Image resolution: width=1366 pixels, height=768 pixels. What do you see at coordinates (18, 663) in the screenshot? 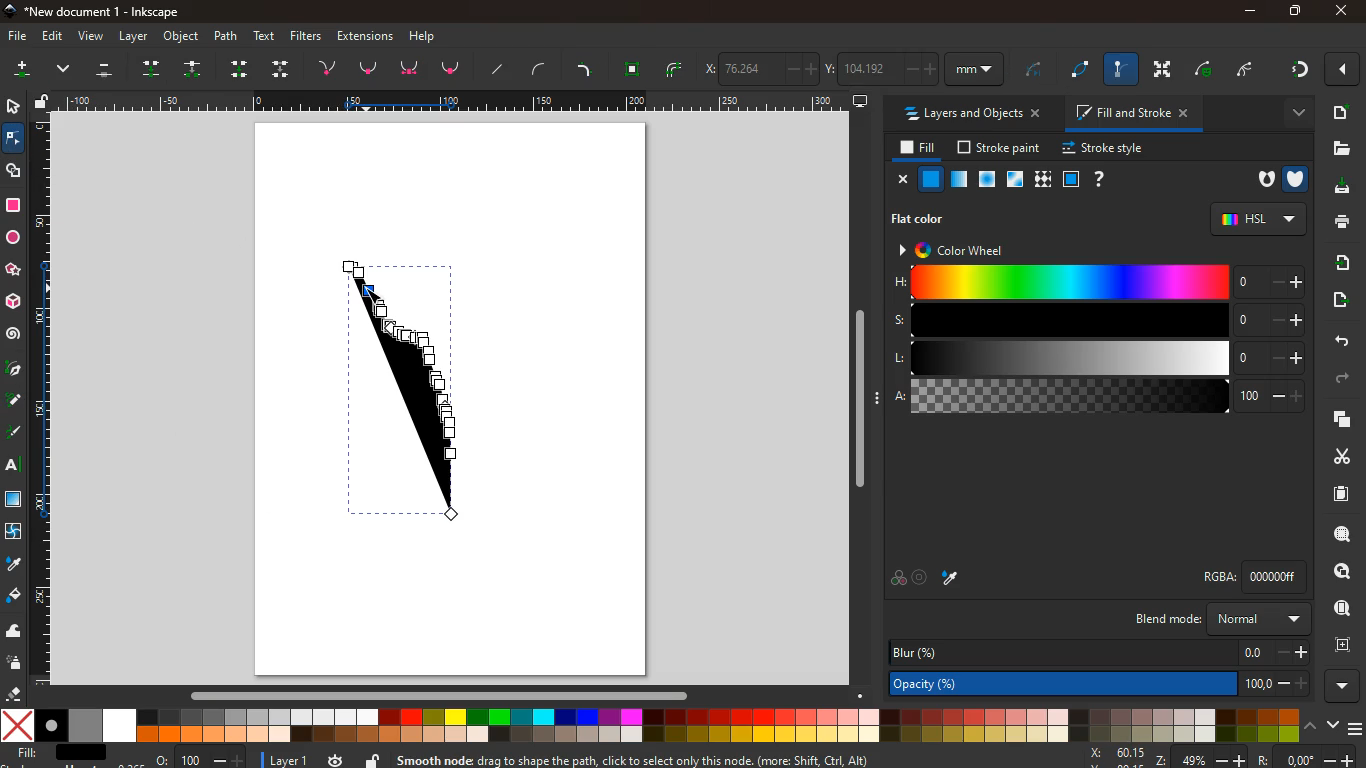
I see `spray` at bounding box center [18, 663].